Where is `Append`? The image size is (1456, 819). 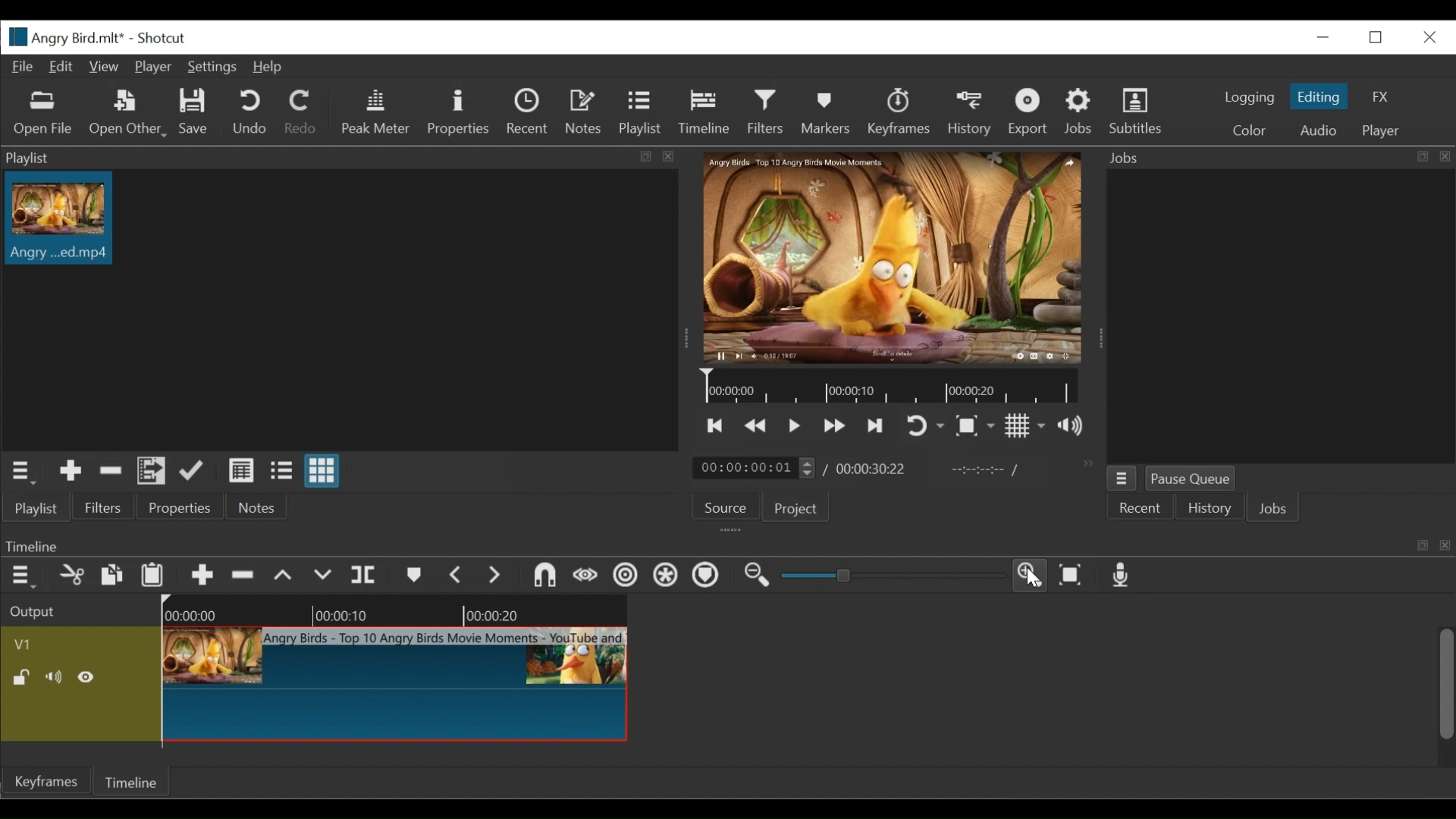 Append is located at coordinates (201, 574).